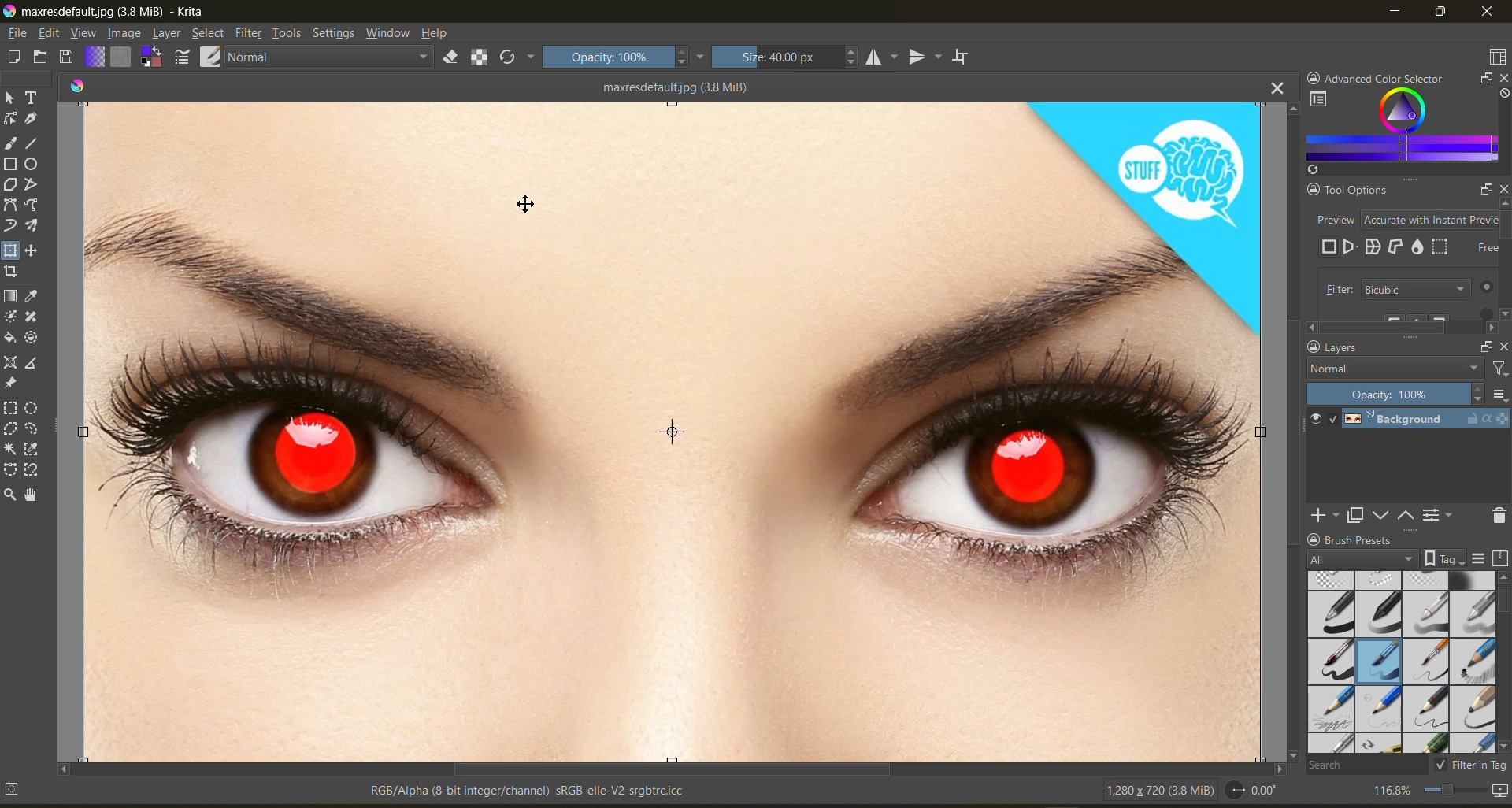 The width and height of the screenshot is (1512, 808). What do you see at coordinates (1480, 557) in the screenshot?
I see `display settings` at bounding box center [1480, 557].